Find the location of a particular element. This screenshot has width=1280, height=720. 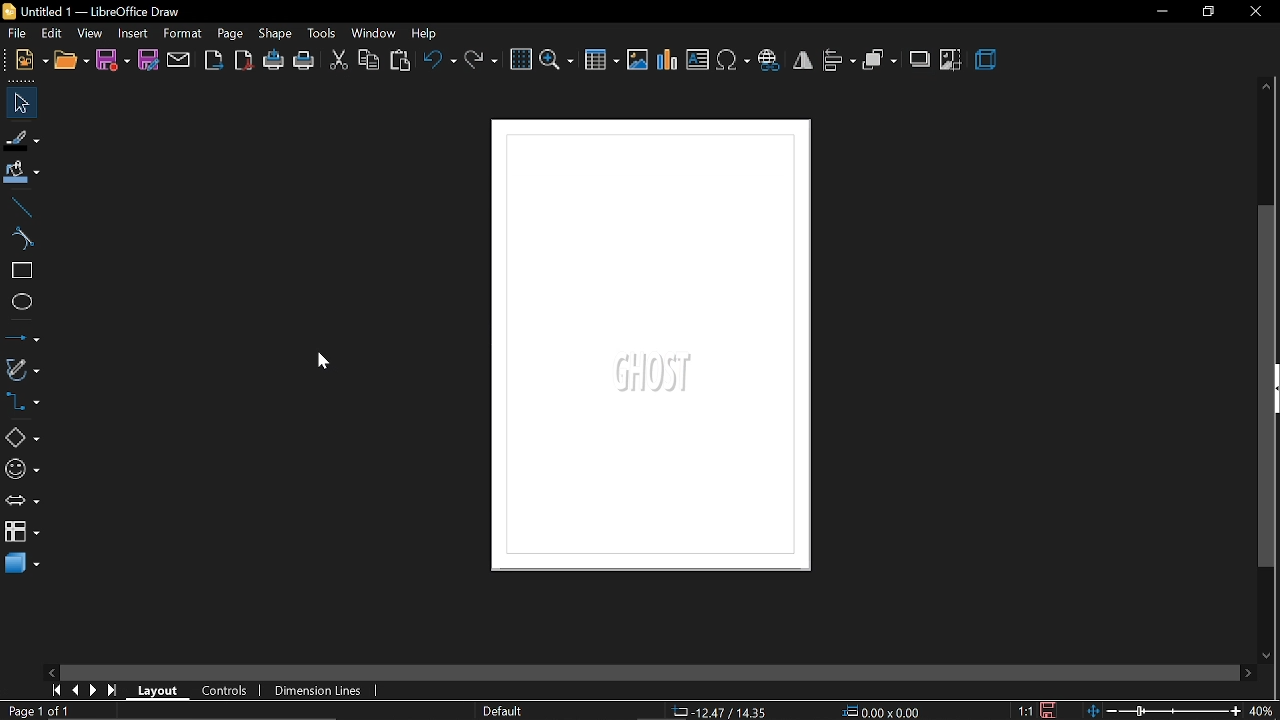

lines and arrow is located at coordinates (22, 337).